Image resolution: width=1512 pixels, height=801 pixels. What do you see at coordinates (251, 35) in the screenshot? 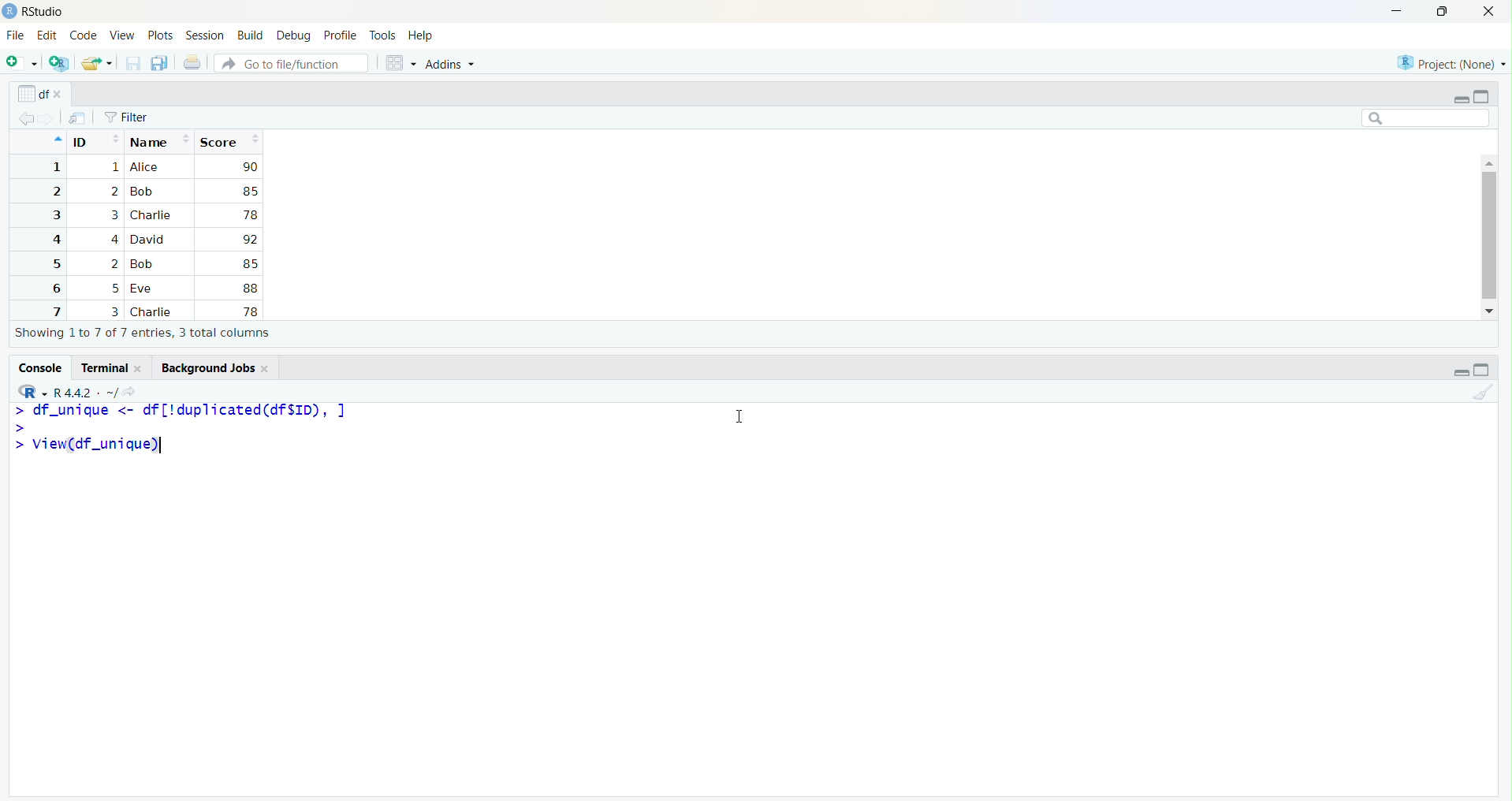
I see `Build` at bounding box center [251, 35].